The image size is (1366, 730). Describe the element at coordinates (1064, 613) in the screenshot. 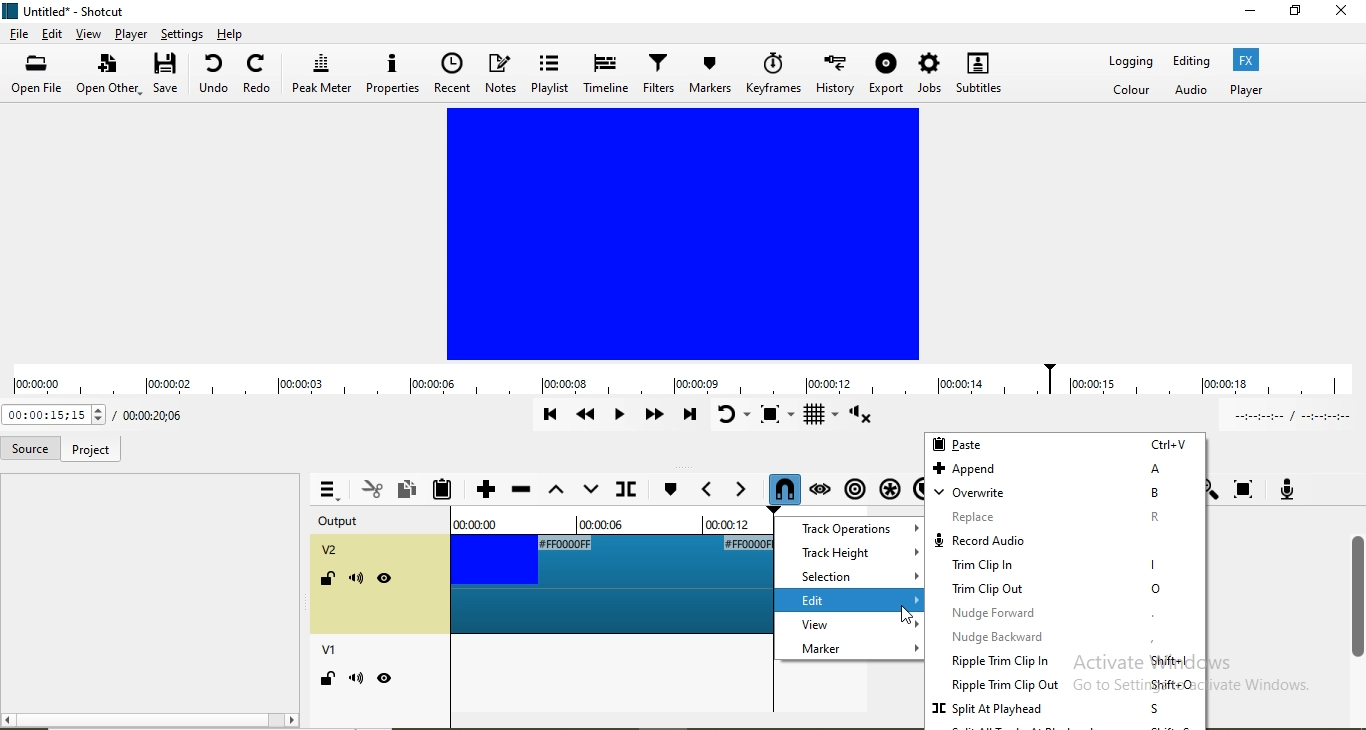

I see `nudge forward` at that location.